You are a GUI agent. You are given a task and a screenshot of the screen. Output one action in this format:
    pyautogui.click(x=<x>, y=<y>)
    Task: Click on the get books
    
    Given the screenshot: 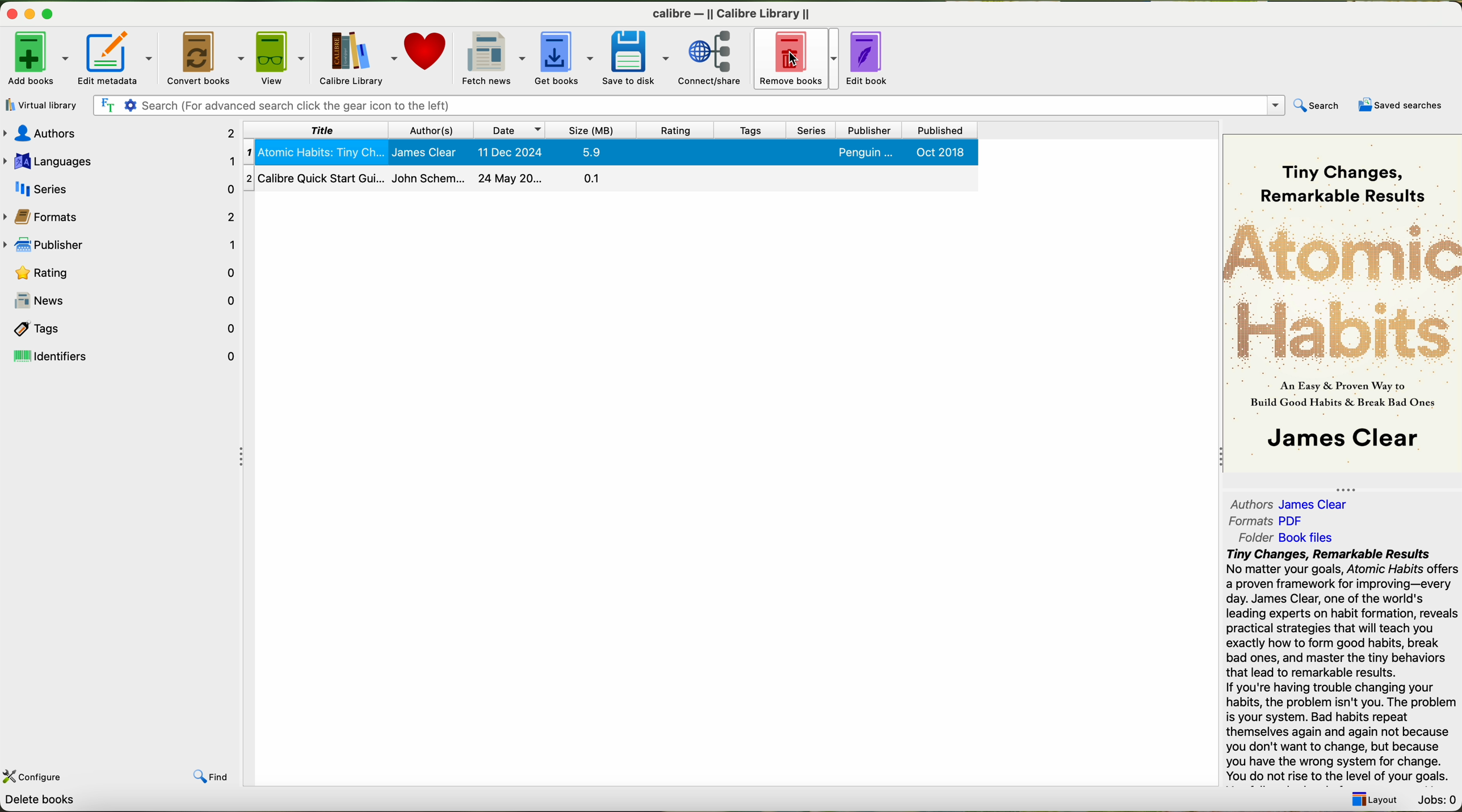 What is the action you would take?
    pyautogui.click(x=561, y=58)
    